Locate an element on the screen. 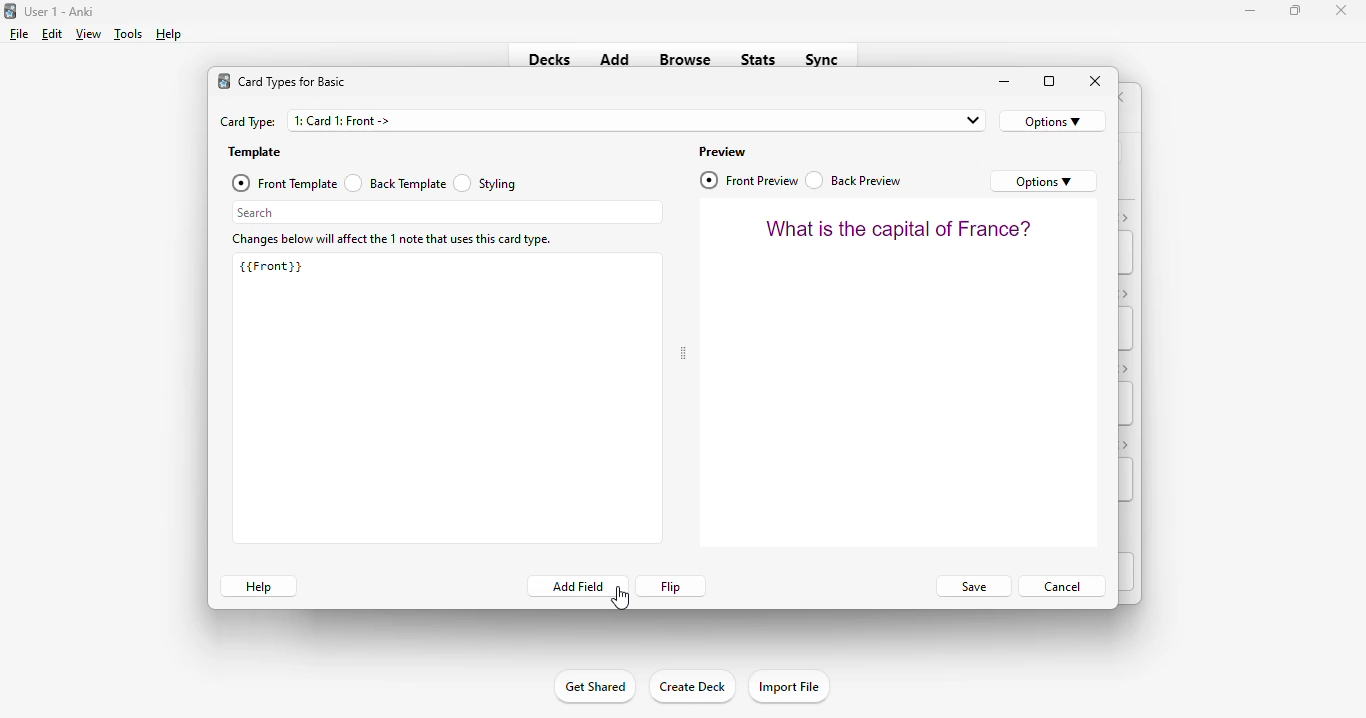 This screenshot has width=1366, height=718. import file is located at coordinates (788, 687).